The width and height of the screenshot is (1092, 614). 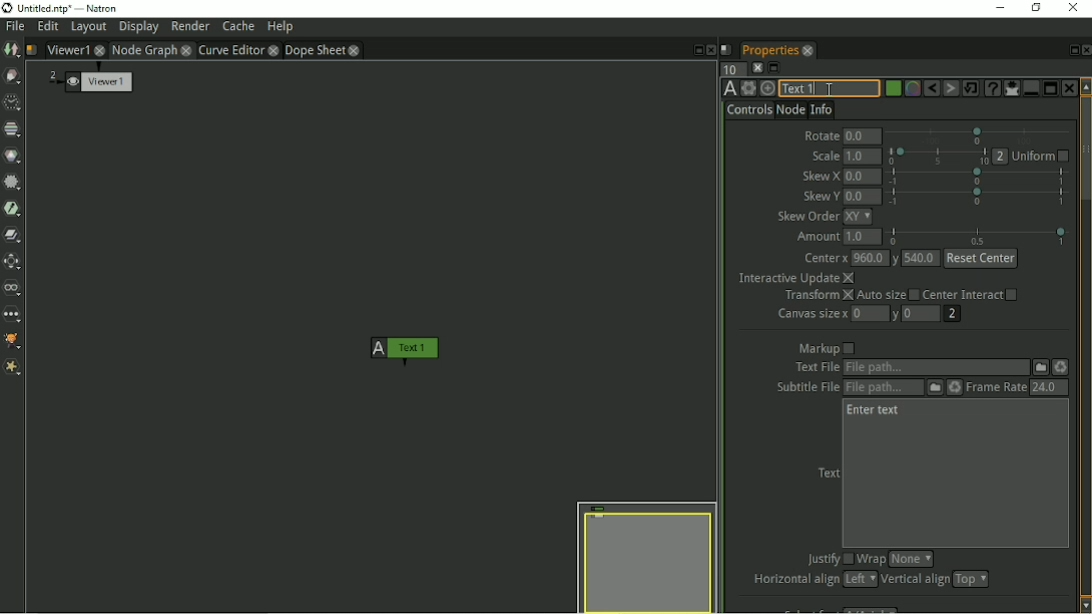 I want to click on 2, so click(x=1001, y=155).